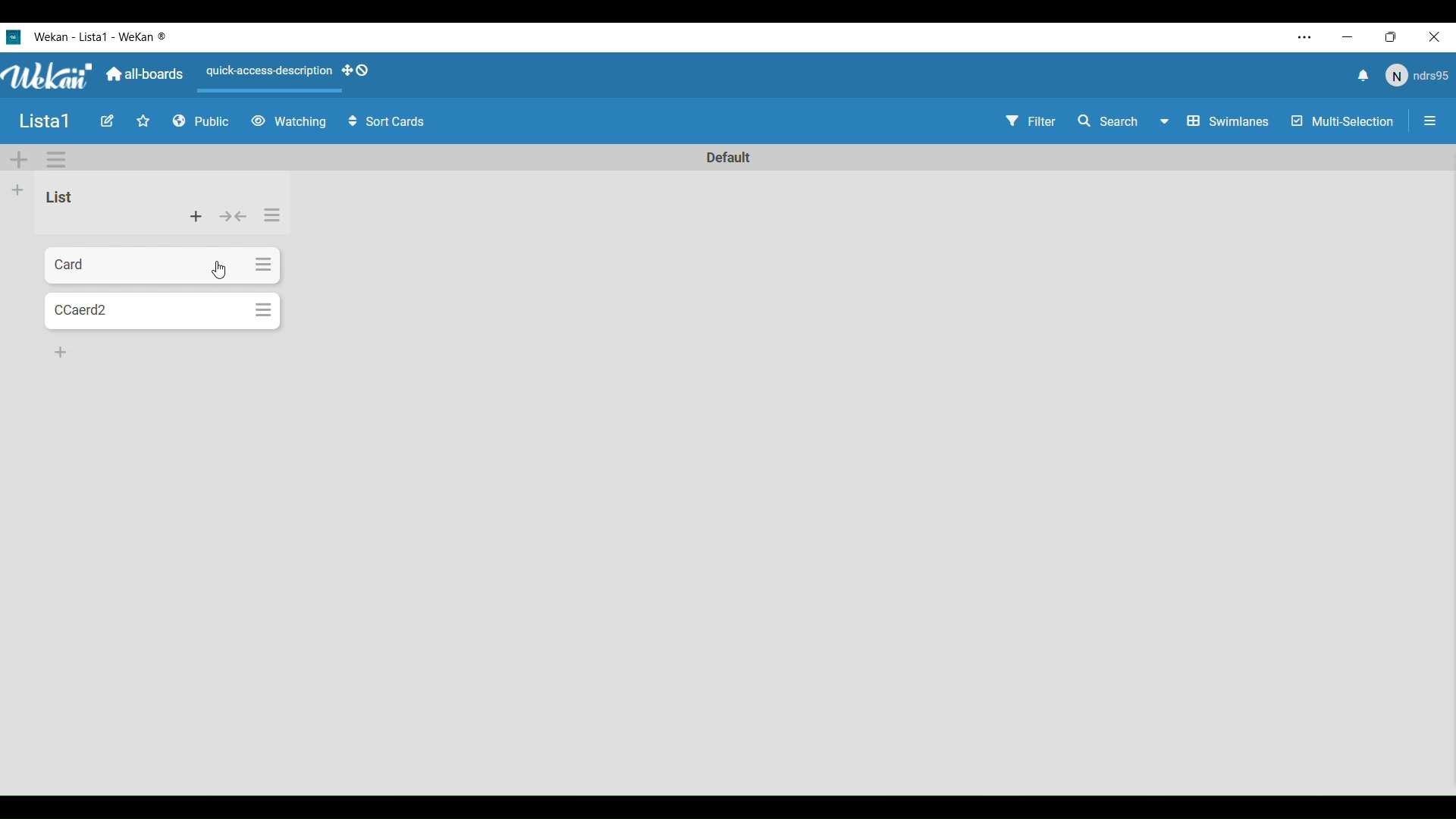 The image size is (1456, 819). Describe the element at coordinates (143, 312) in the screenshot. I see `Card2` at that location.